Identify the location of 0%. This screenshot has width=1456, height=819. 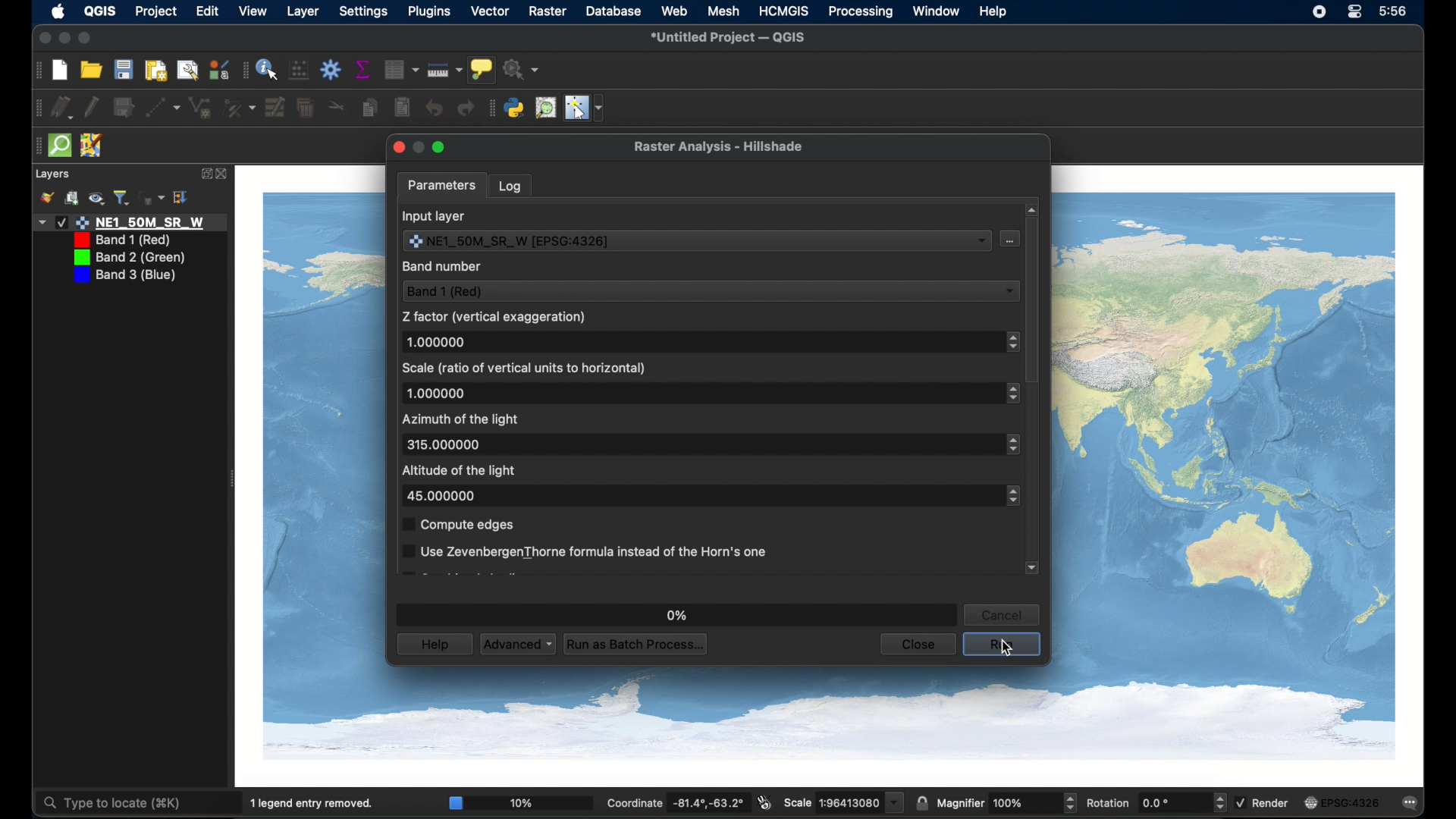
(677, 614).